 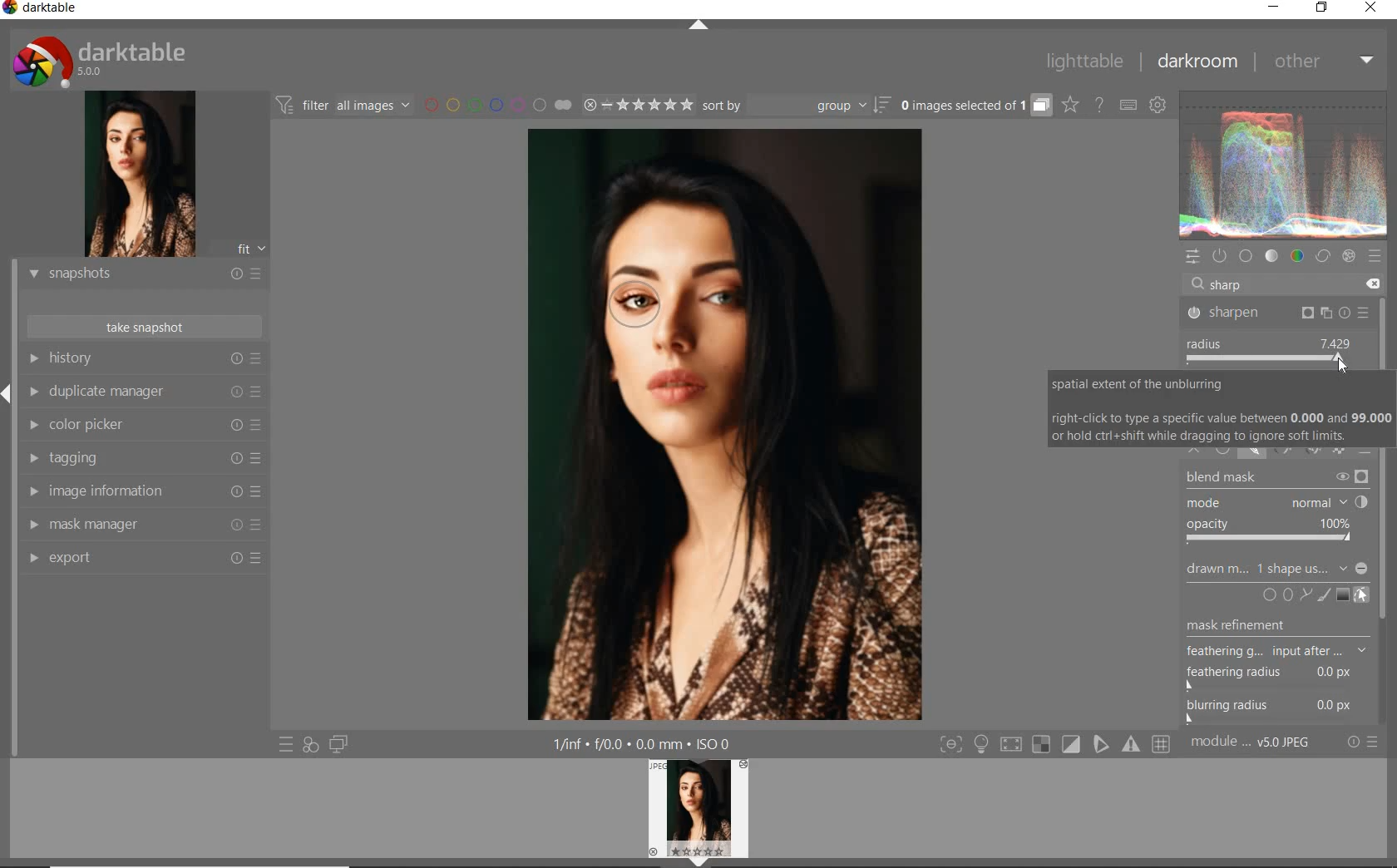 What do you see at coordinates (99, 61) in the screenshot?
I see `Darktable 5.0.0` at bounding box center [99, 61].